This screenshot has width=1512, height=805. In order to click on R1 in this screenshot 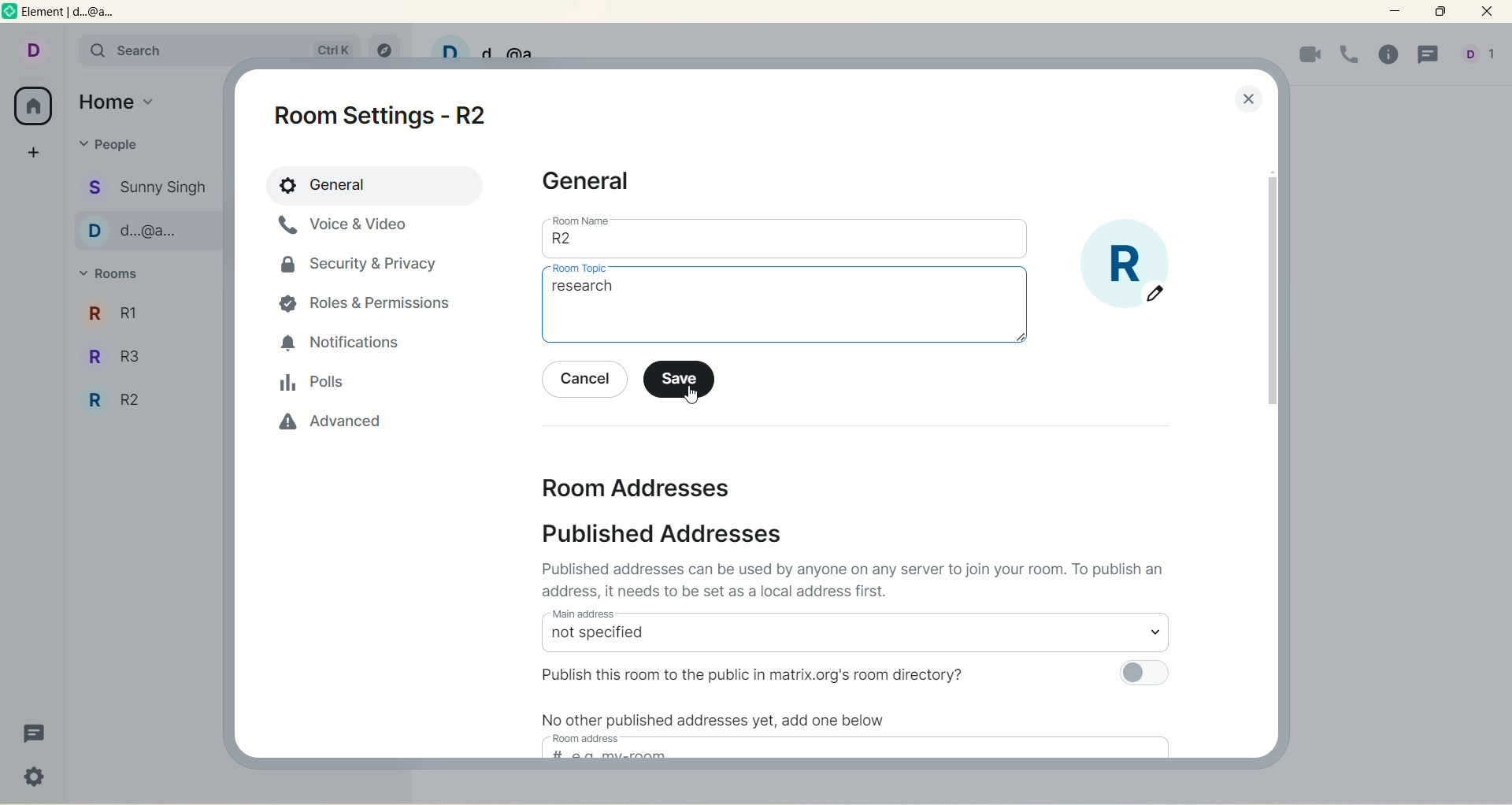, I will do `click(145, 311)`.